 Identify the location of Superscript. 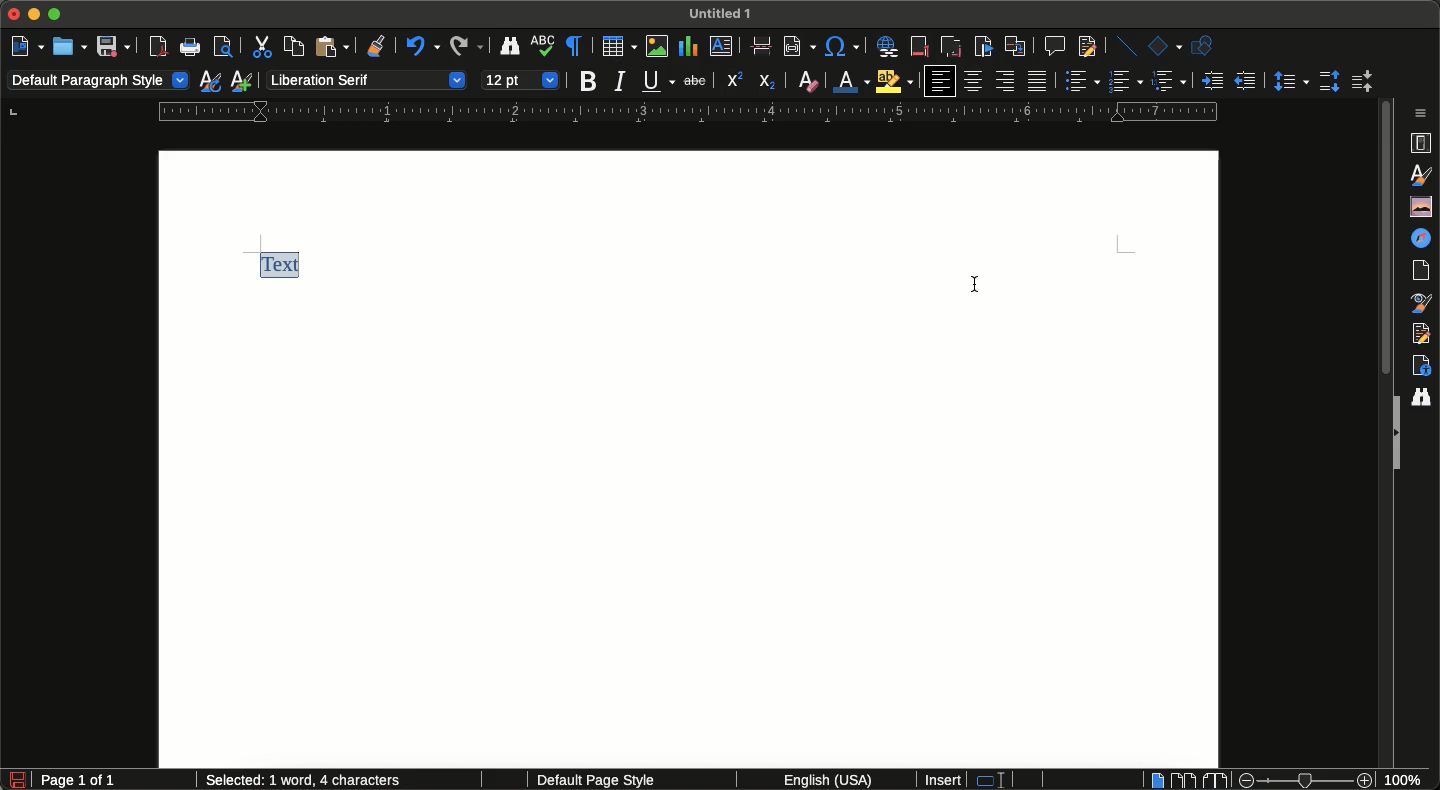
(733, 81).